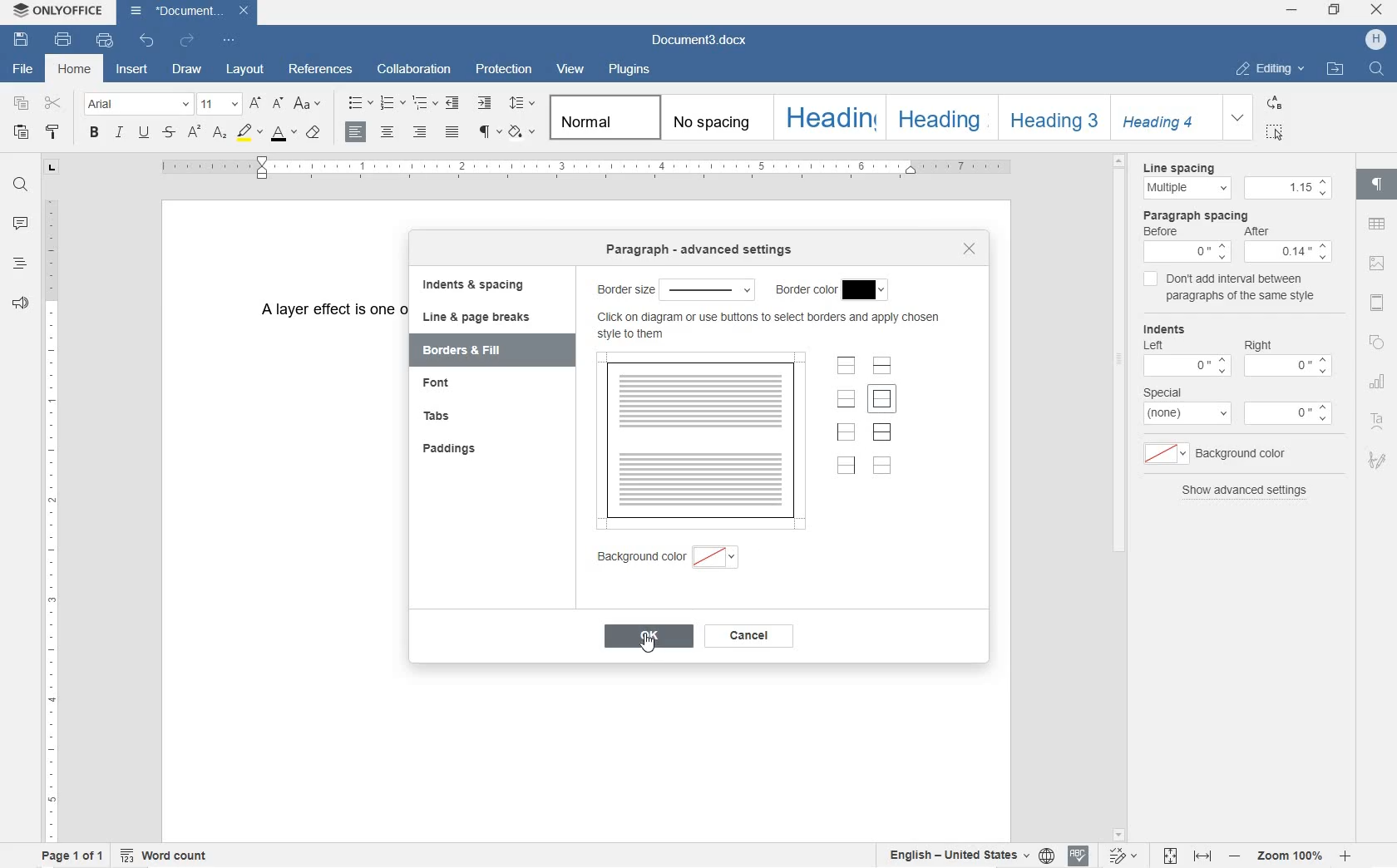  Describe the element at coordinates (845, 366) in the screenshot. I see `set top border only` at that location.